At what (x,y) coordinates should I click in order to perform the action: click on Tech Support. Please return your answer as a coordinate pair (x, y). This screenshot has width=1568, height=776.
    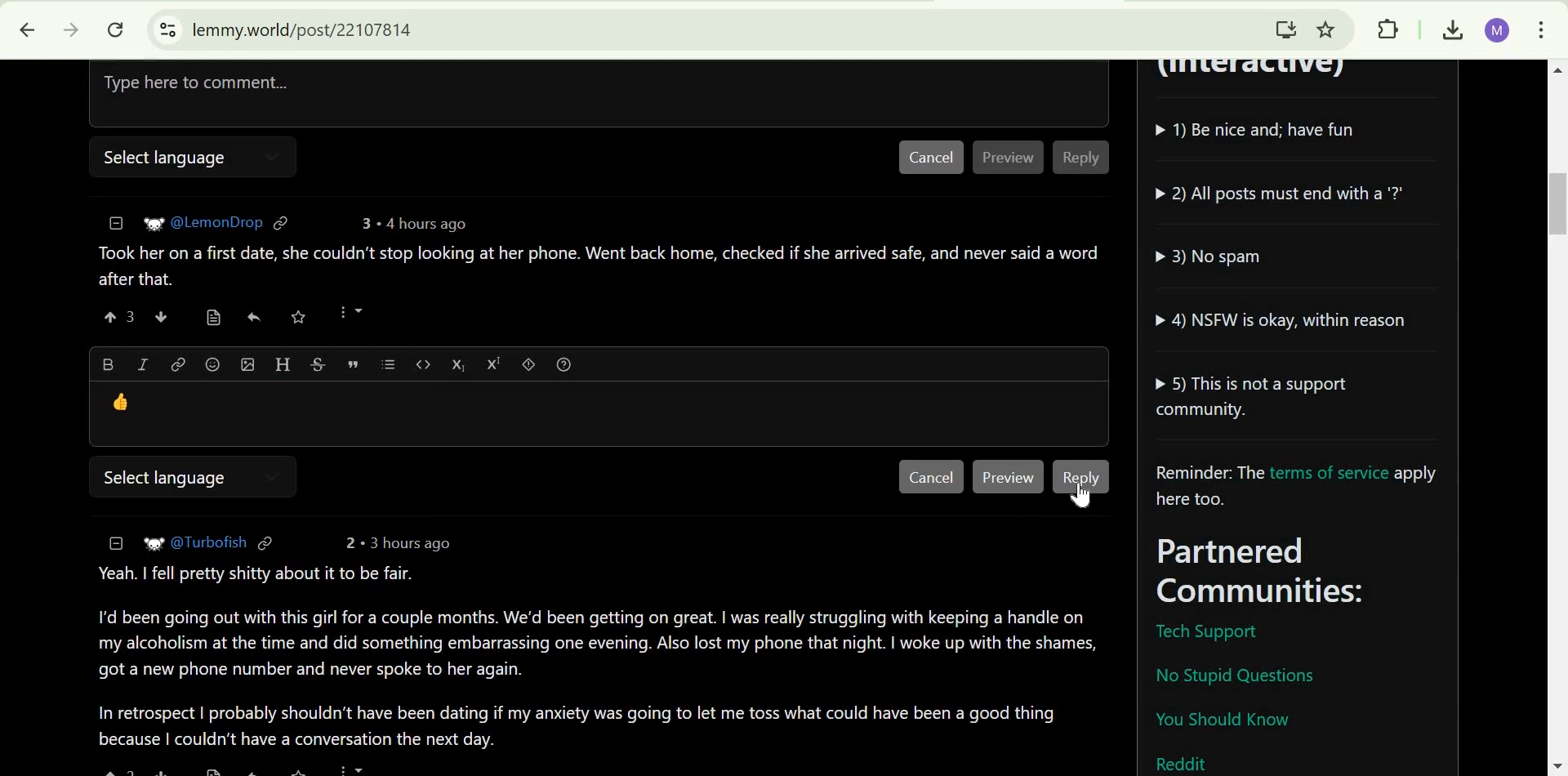
    Looking at the image, I should click on (1205, 632).